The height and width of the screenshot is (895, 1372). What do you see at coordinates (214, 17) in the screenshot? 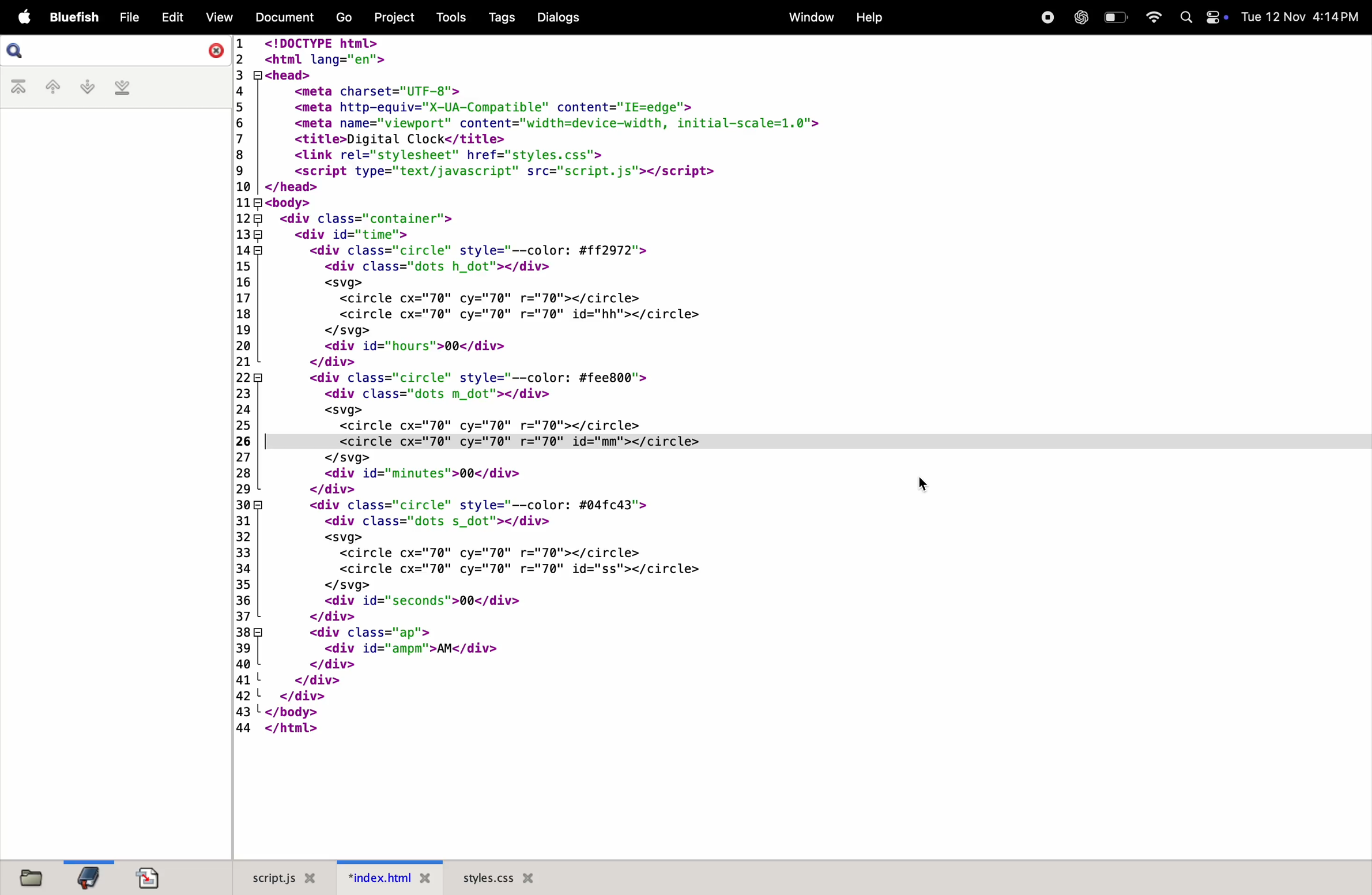
I see `view` at bounding box center [214, 17].